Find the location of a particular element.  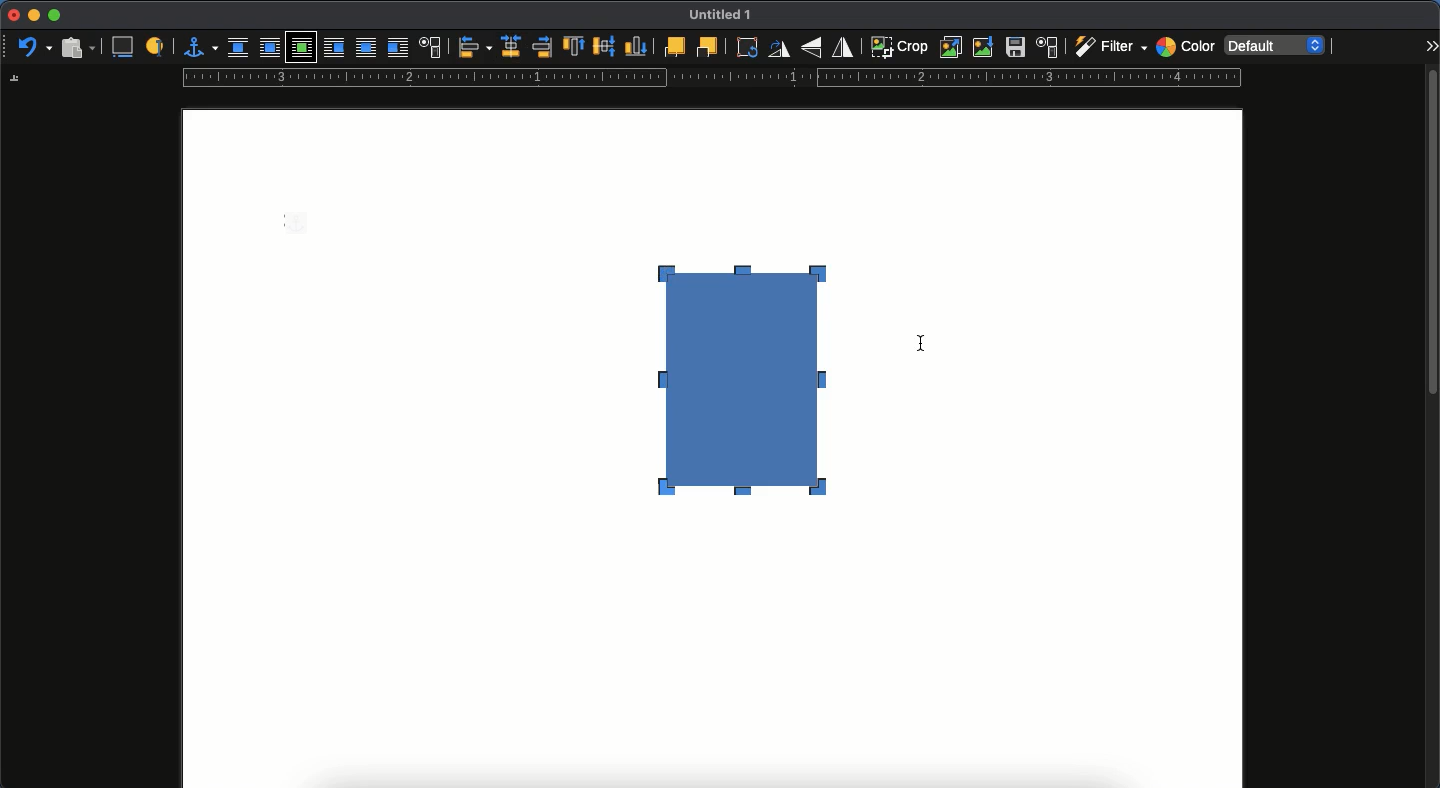

insert caption is located at coordinates (121, 47).